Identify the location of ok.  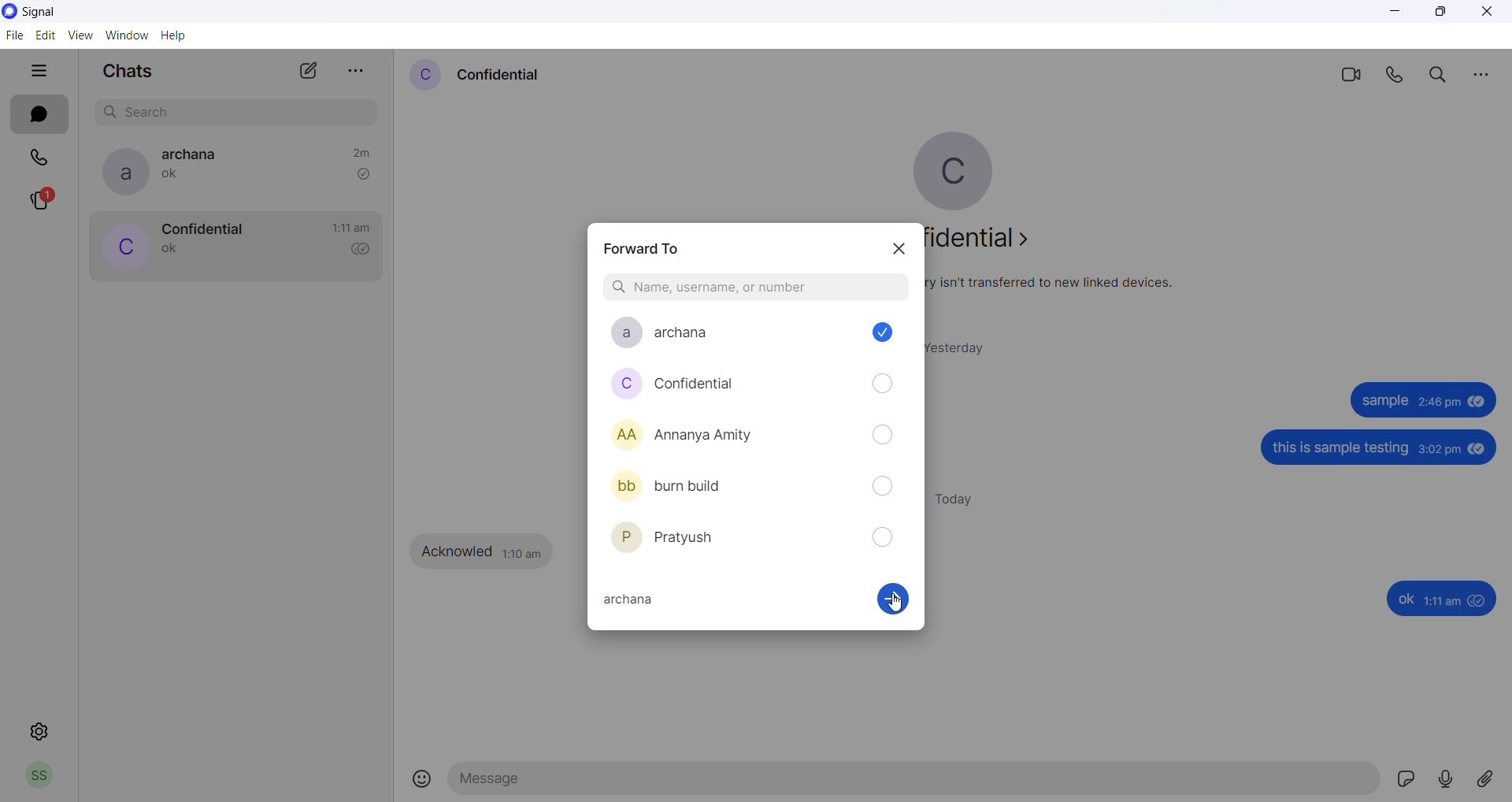
(1405, 600).